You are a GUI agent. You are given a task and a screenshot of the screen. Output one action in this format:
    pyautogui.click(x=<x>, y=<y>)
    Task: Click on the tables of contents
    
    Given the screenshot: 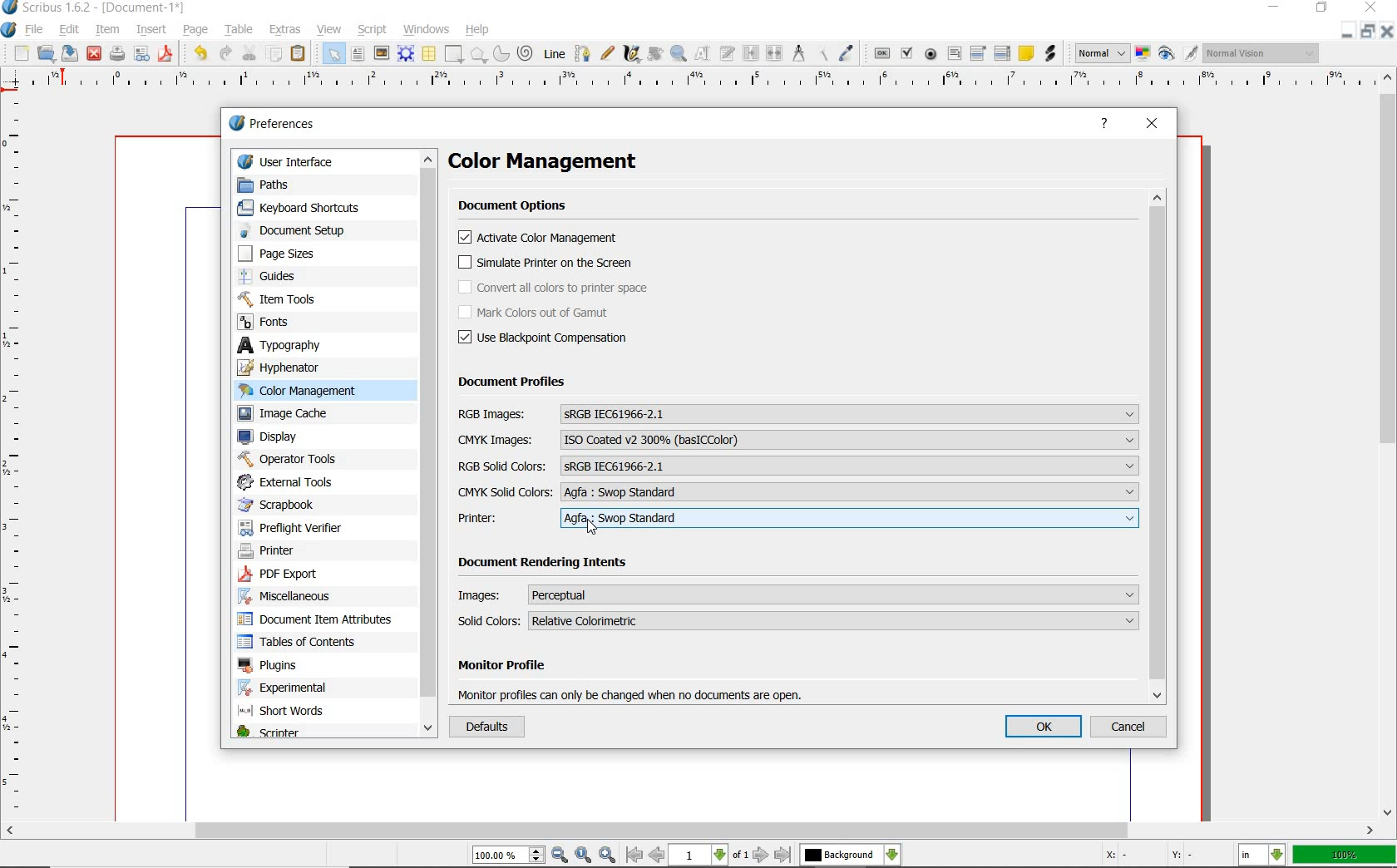 What is the action you would take?
    pyautogui.click(x=310, y=642)
    